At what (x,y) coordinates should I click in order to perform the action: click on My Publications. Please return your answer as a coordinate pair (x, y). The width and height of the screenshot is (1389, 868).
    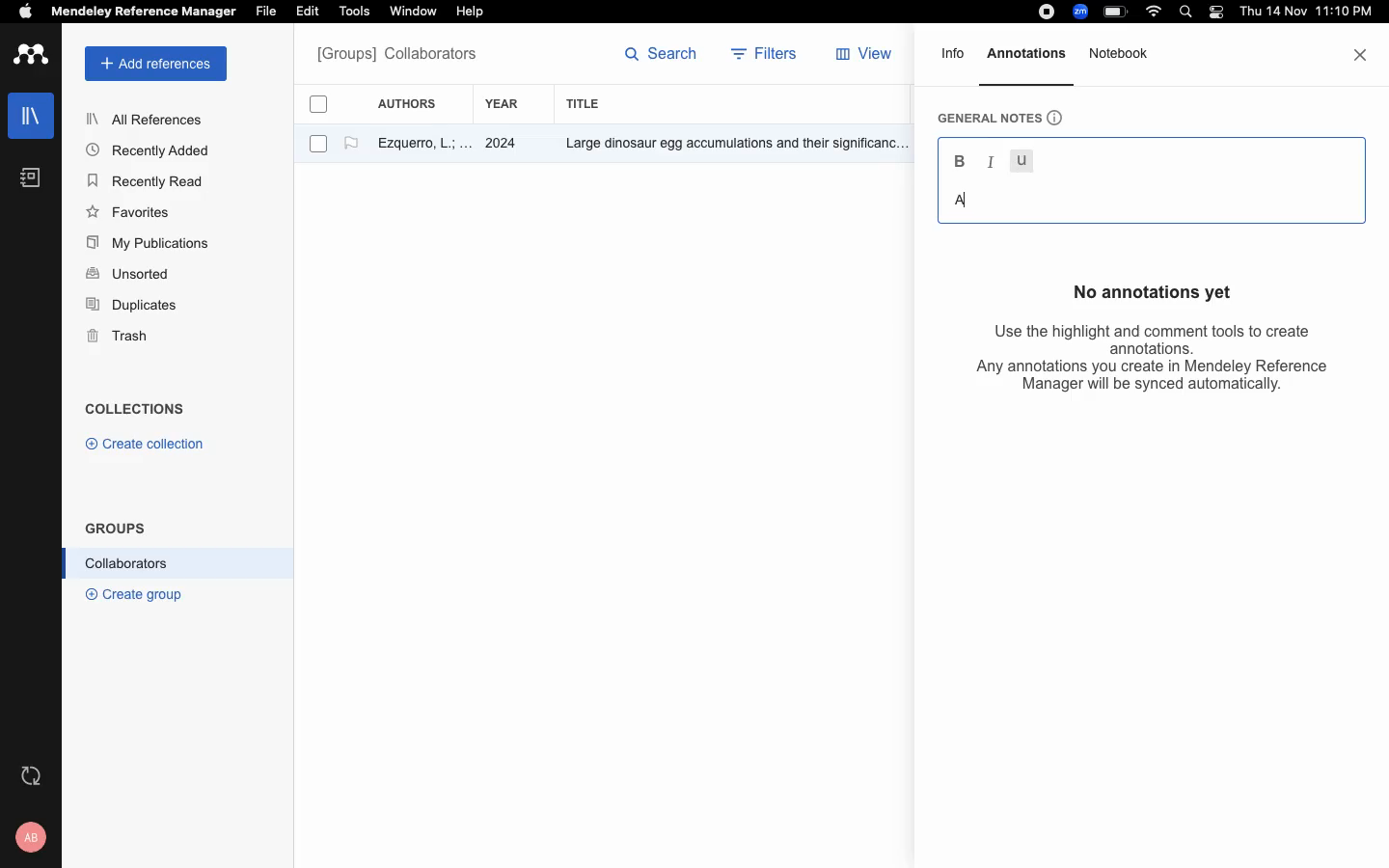
    Looking at the image, I should click on (149, 246).